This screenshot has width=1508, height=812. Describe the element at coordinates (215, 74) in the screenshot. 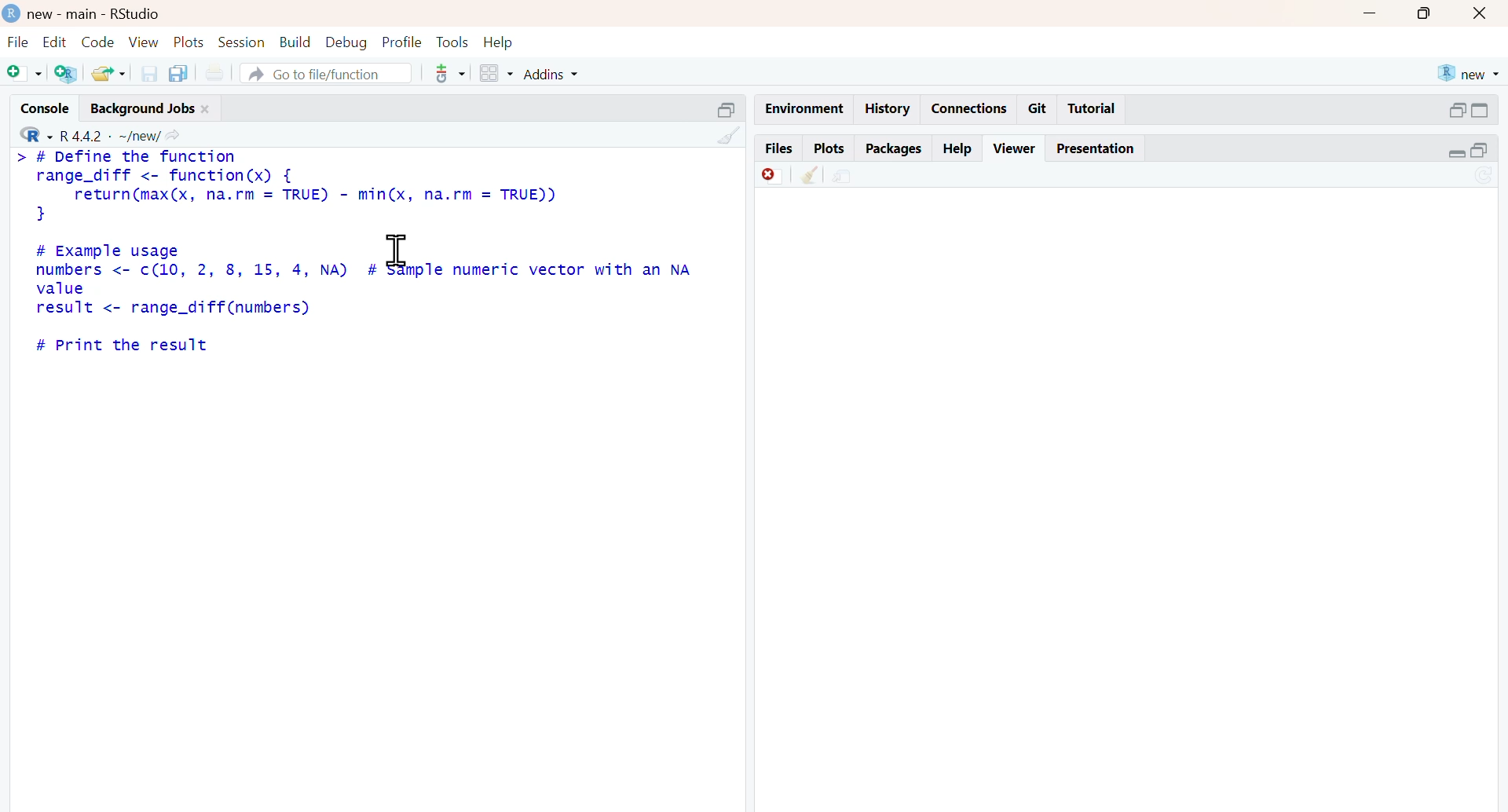

I see `print` at that location.